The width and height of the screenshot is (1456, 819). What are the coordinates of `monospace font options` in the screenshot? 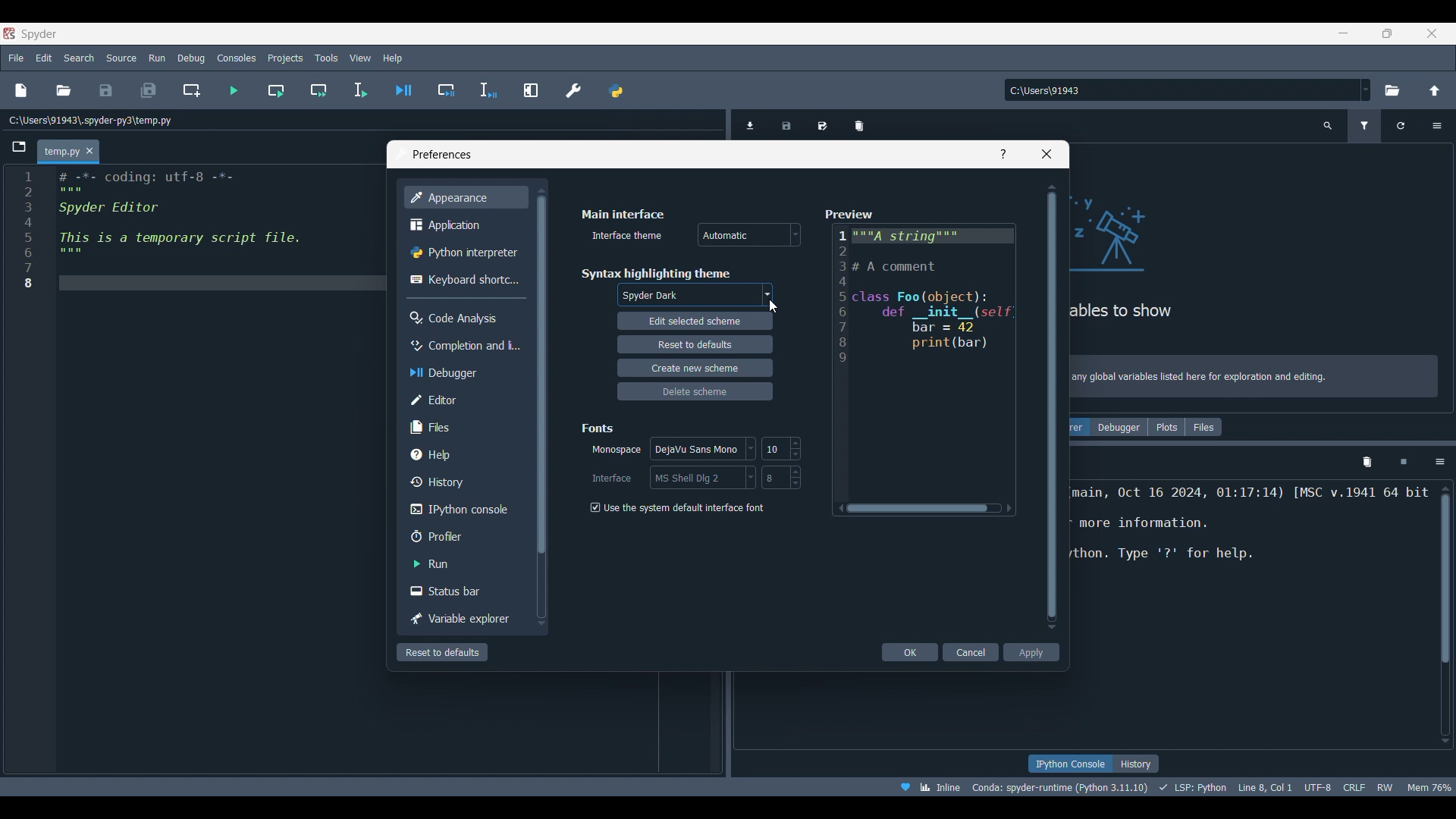 It's located at (701, 447).